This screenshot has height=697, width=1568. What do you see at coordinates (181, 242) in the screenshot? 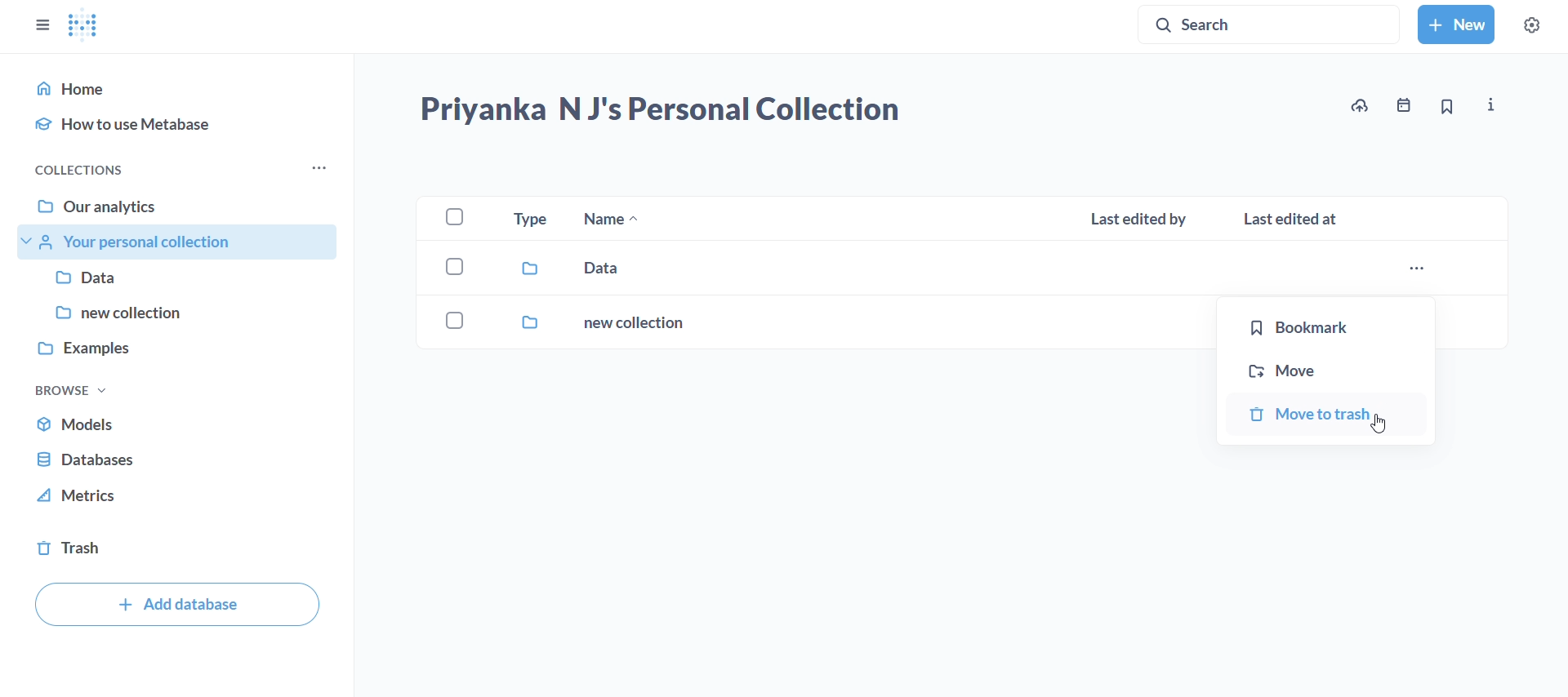
I see `your personal collections` at bounding box center [181, 242].